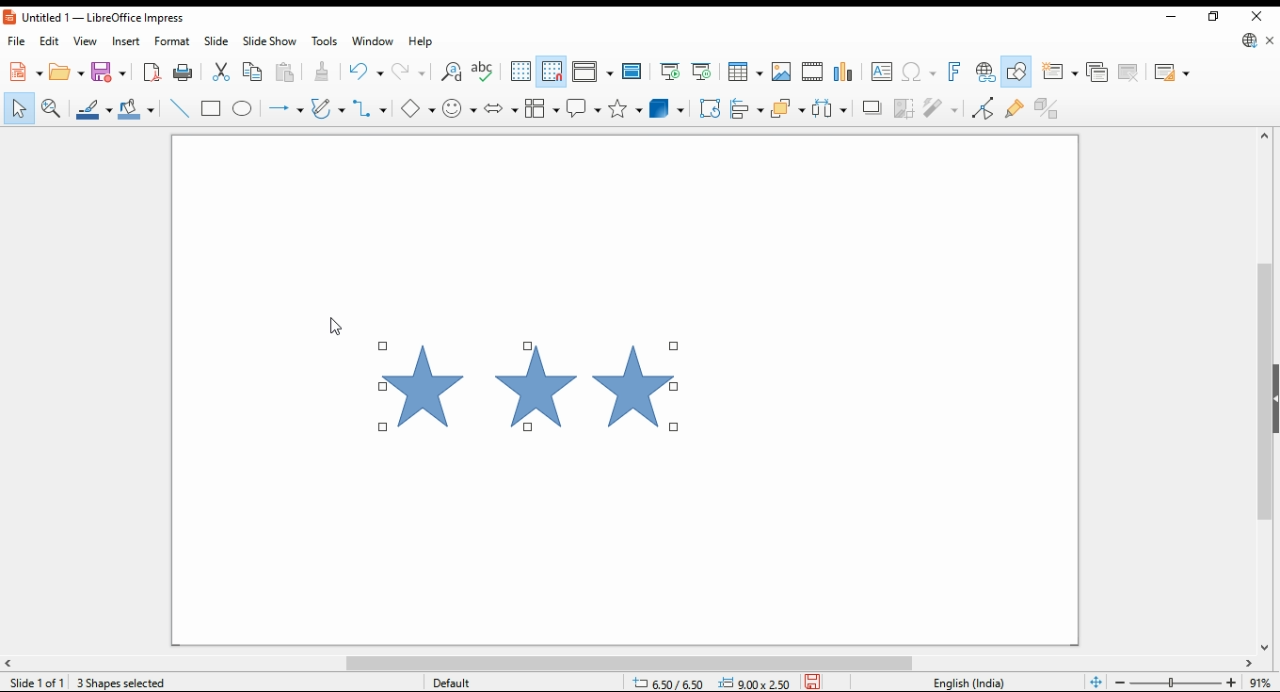 The height and width of the screenshot is (692, 1280). What do you see at coordinates (109, 71) in the screenshot?
I see `save` at bounding box center [109, 71].